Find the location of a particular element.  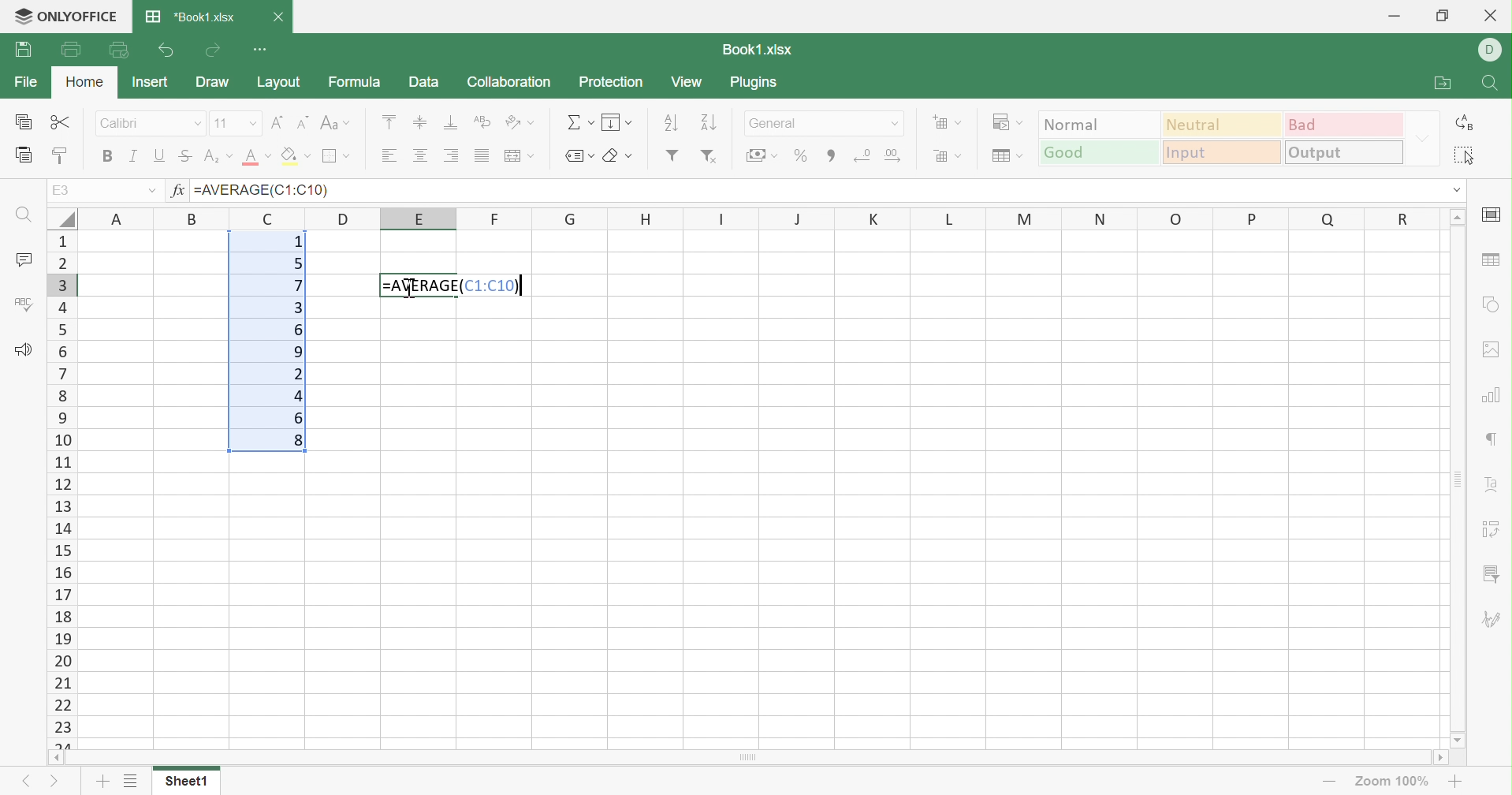

Increase decimals is located at coordinates (903, 155).